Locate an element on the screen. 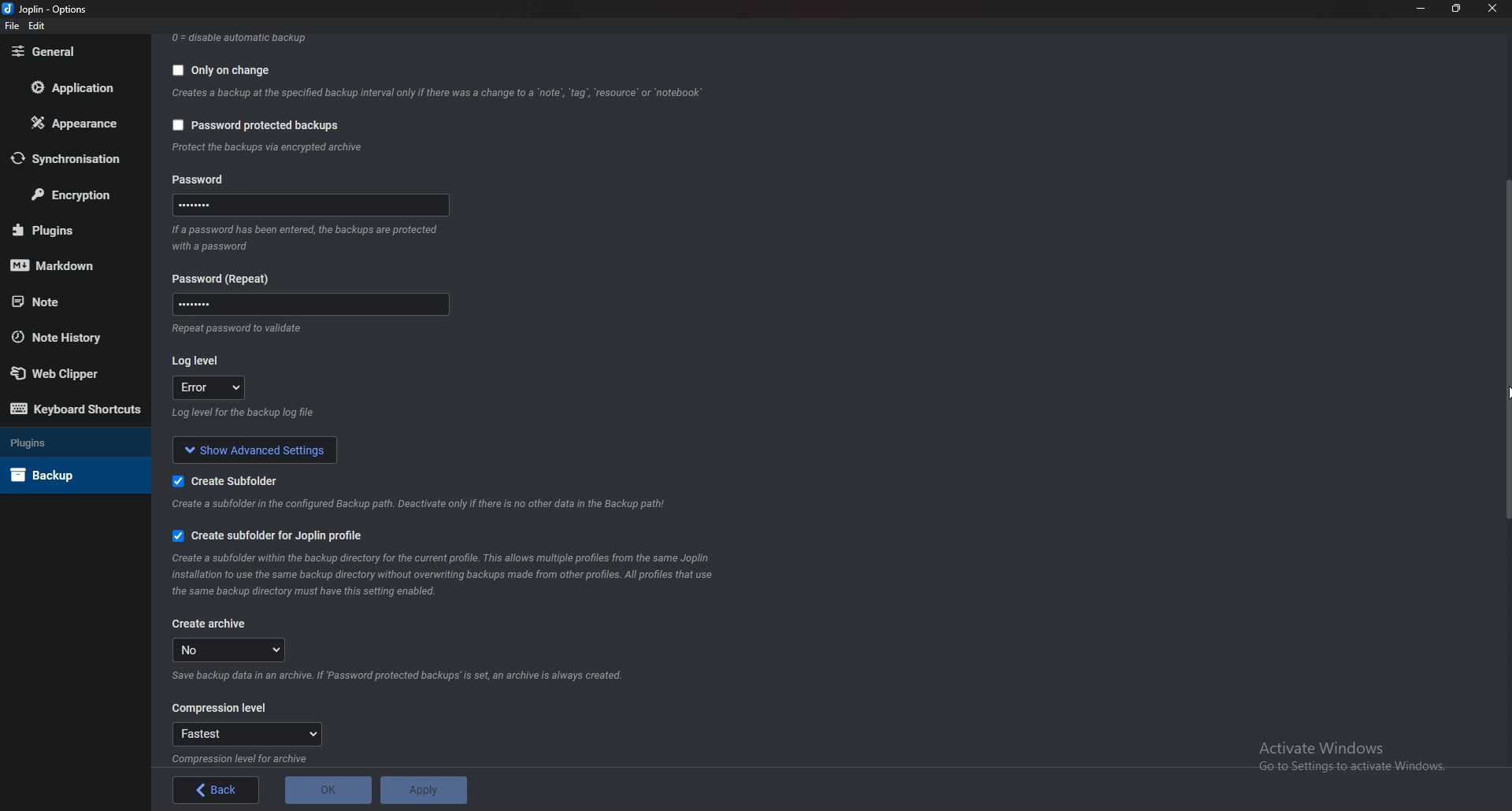 This screenshot has width=1512, height=811. apply is located at coordinates (424, 791).